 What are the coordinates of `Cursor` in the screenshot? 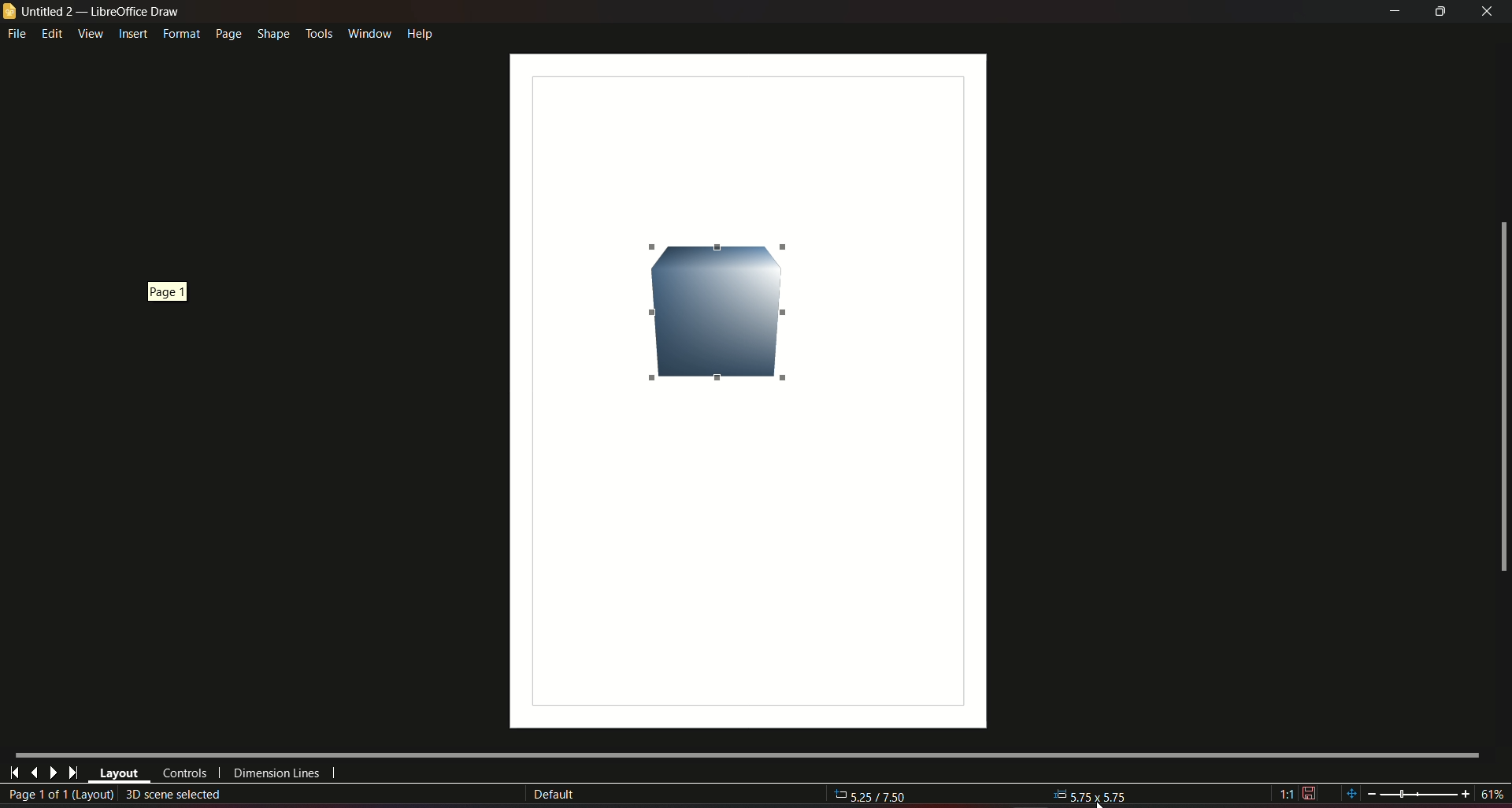 It's located at (1099, 799).